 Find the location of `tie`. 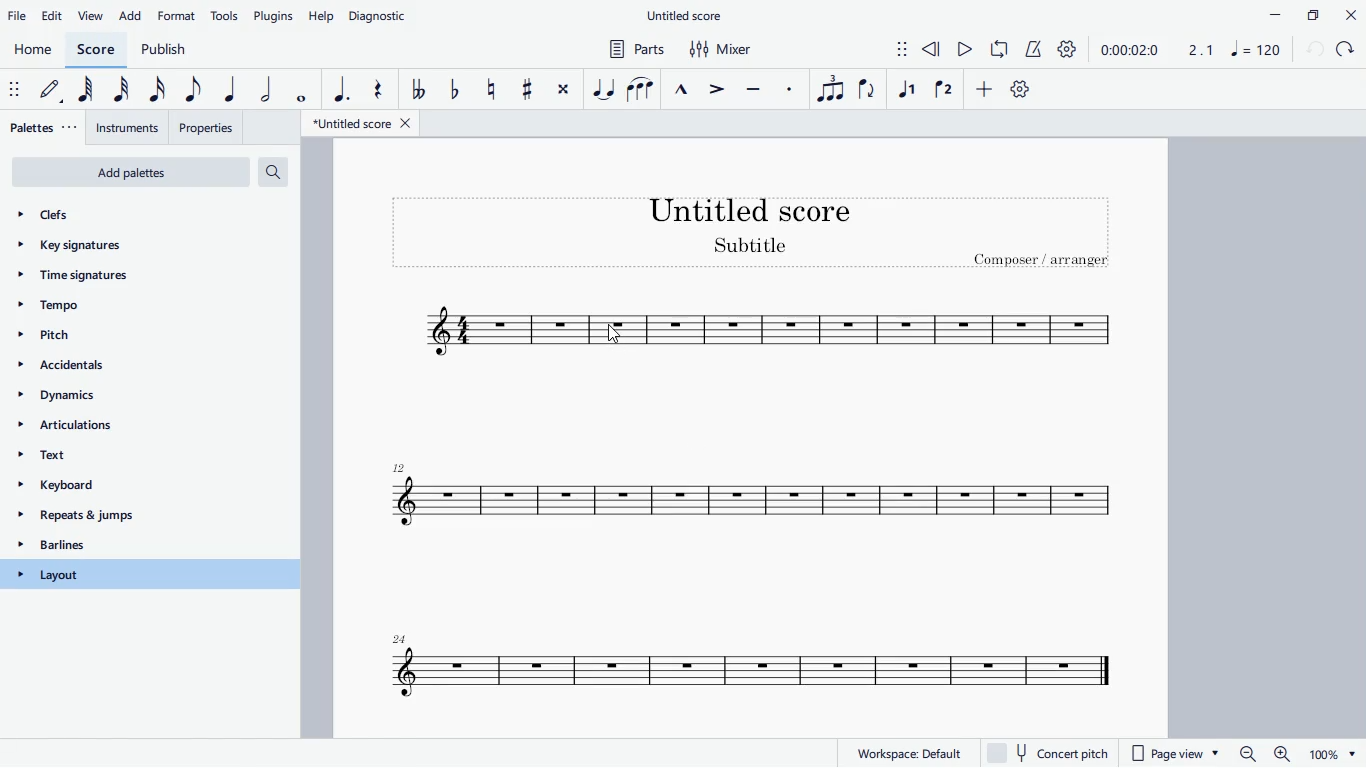

tie is located at coordinates (603, 88).